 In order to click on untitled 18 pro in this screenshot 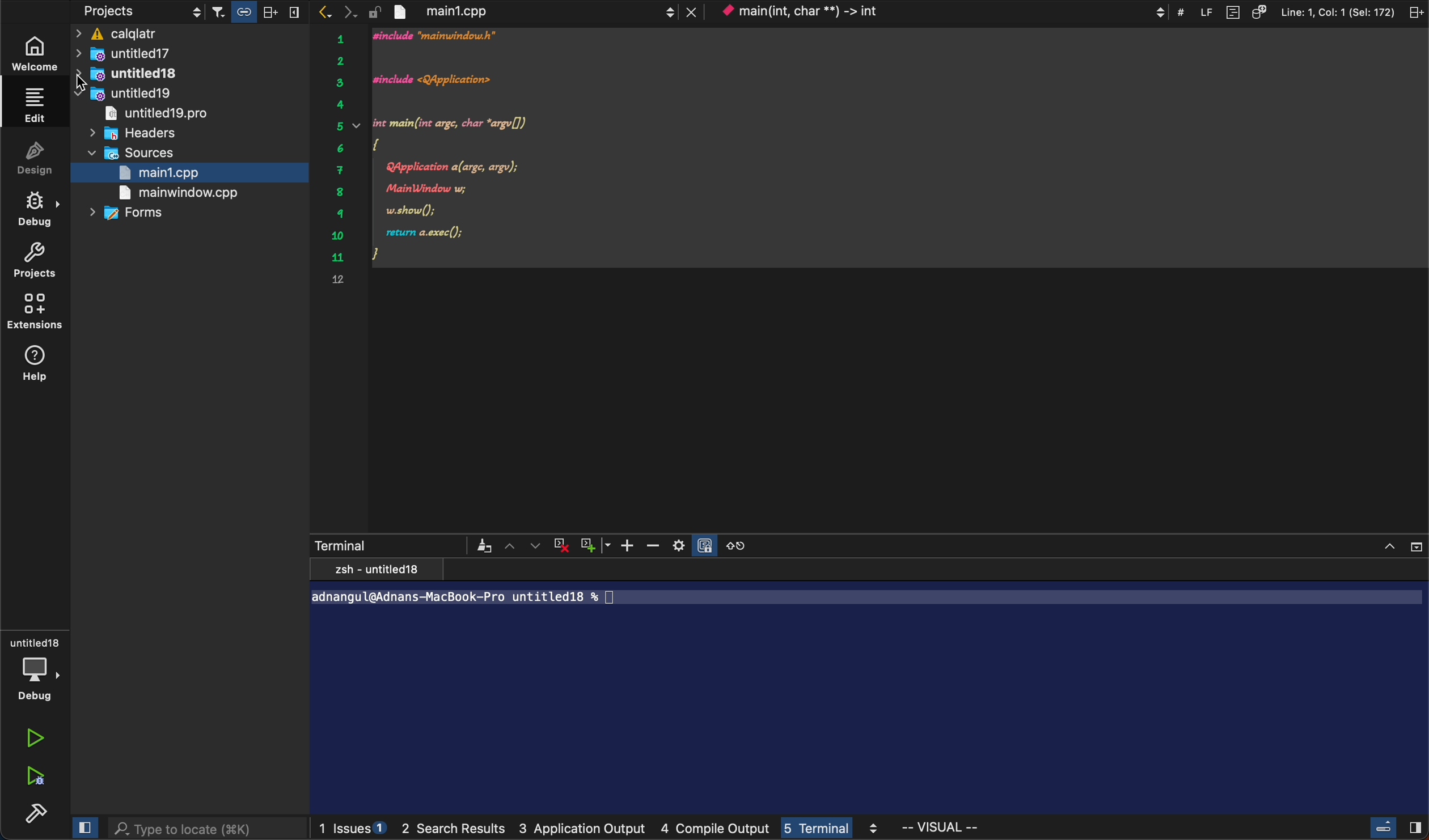, I will do `click(166, 94)`.